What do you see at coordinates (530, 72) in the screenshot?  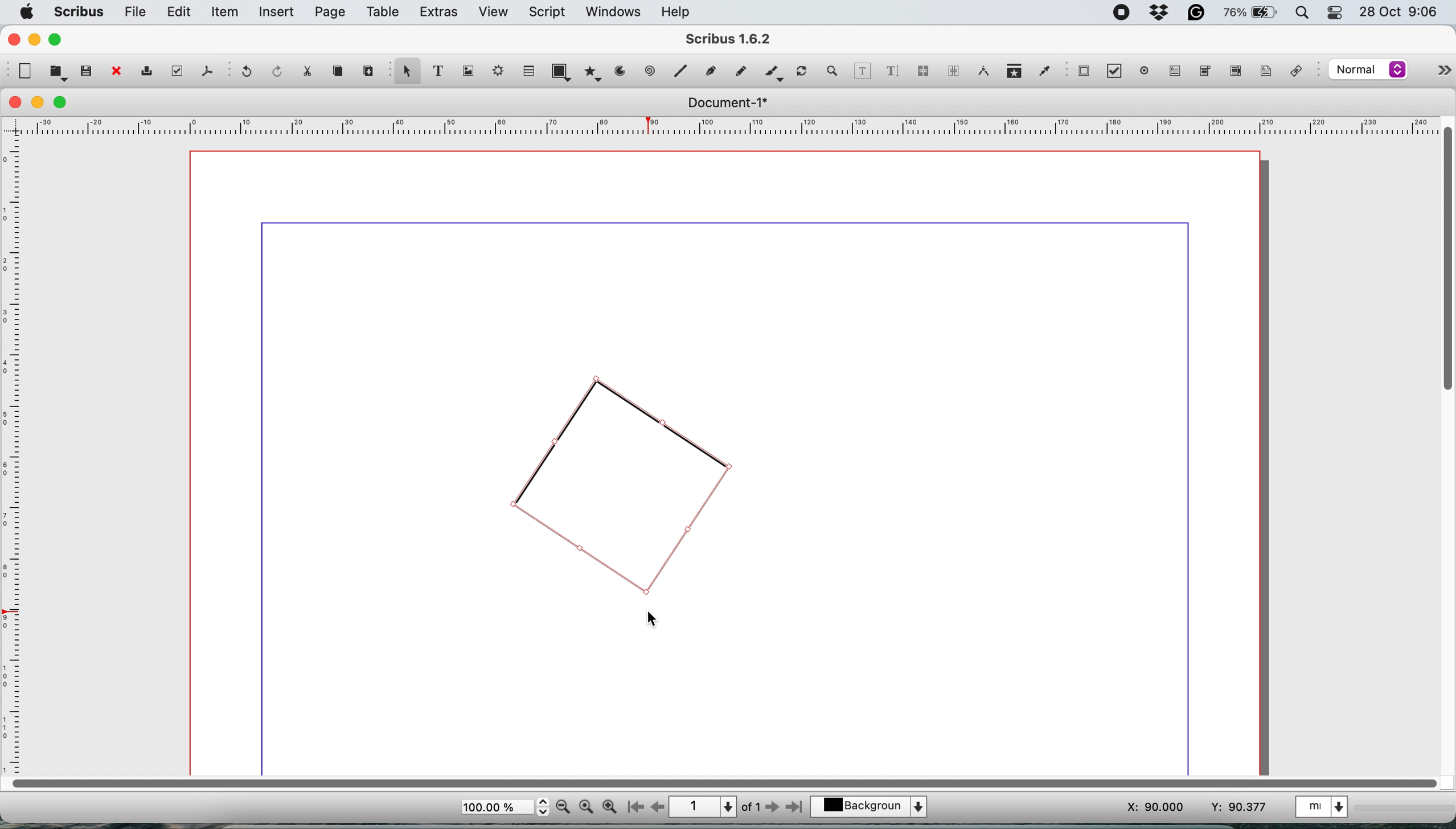 I see `table` at bounding box center [530, 72].